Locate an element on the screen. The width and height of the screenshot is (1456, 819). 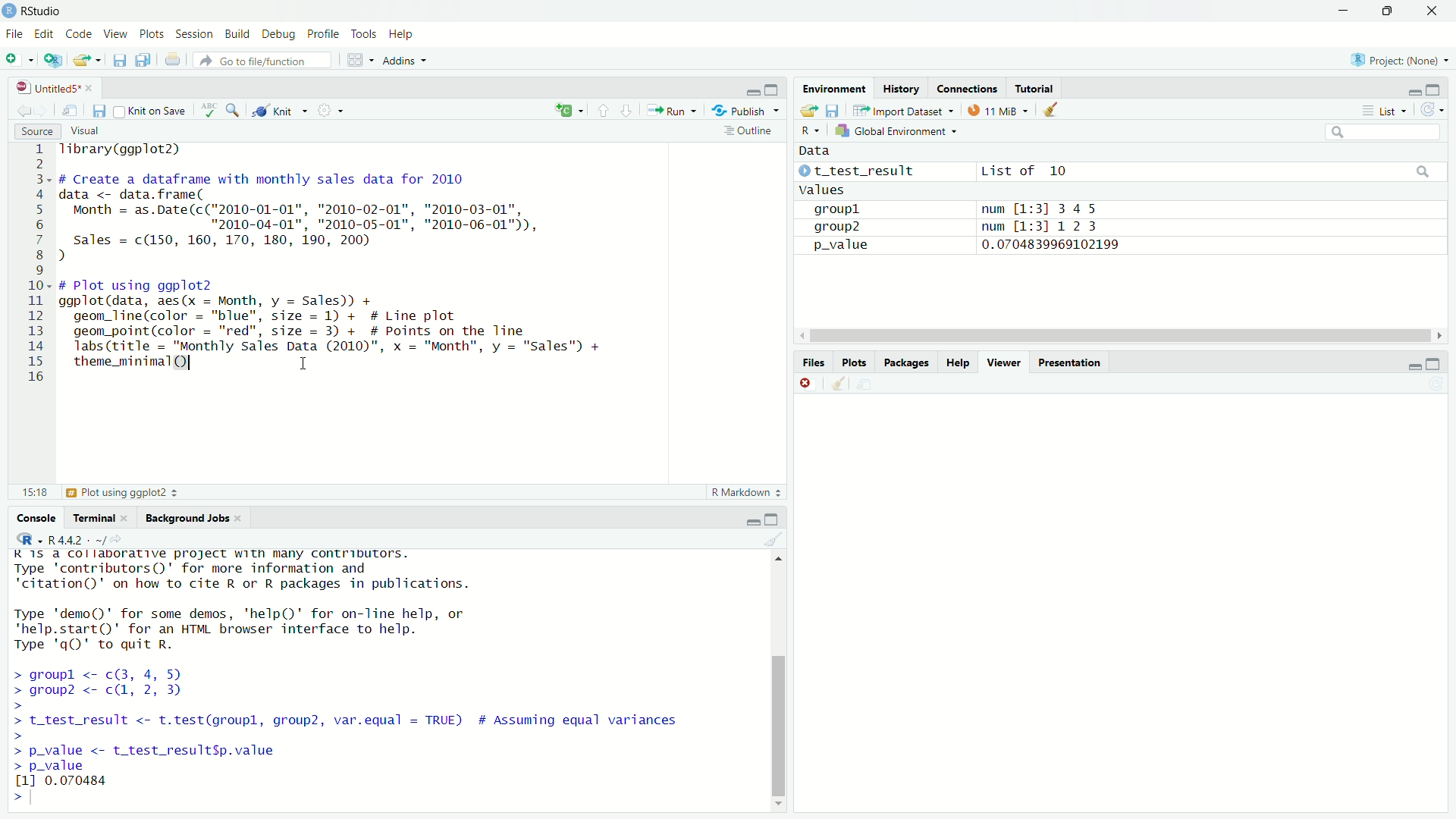
re-run previous code is located at coordinates (566, 111).